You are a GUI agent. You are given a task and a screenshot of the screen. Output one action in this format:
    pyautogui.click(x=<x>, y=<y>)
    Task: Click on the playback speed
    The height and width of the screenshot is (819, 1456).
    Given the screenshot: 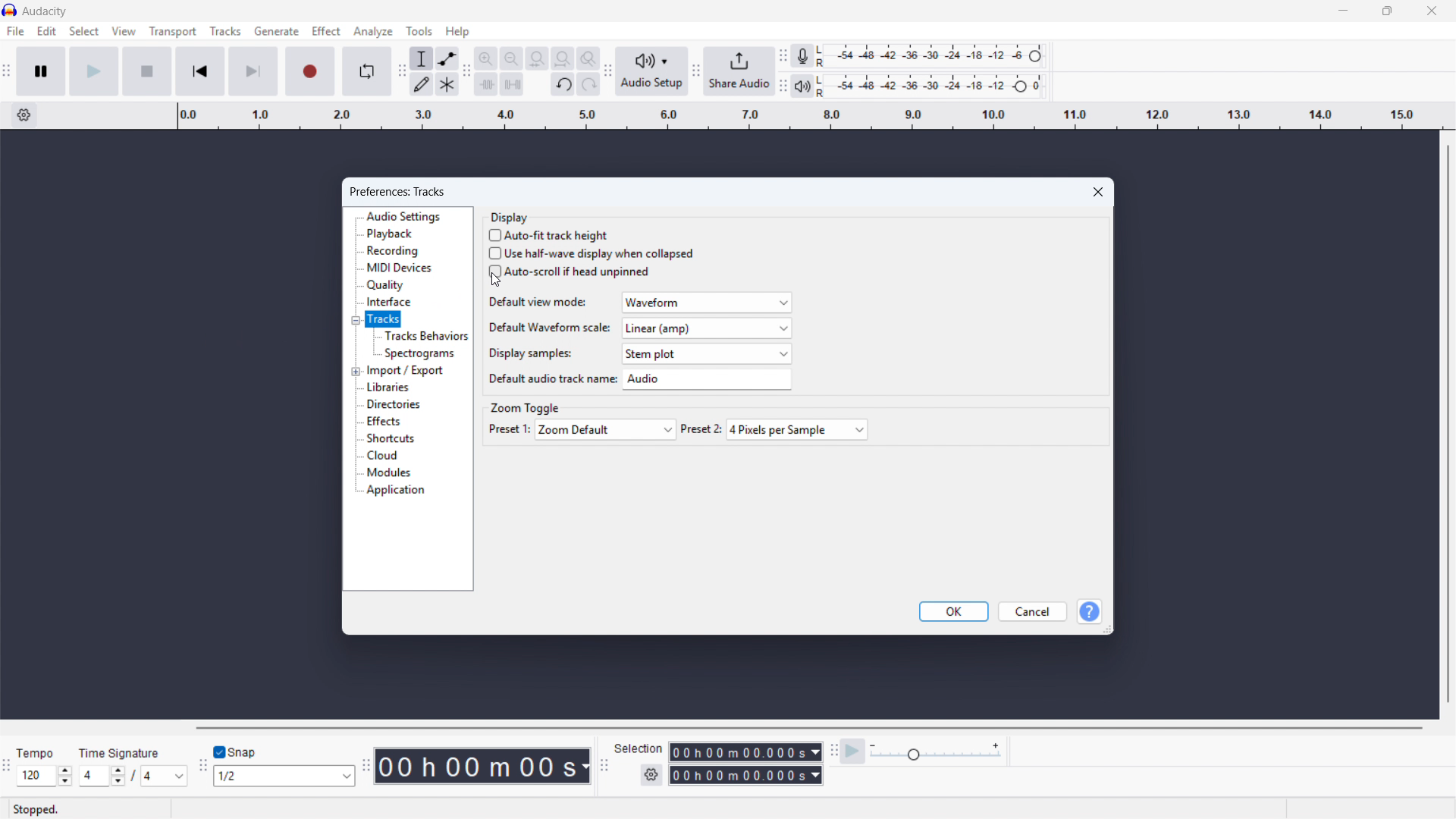 What is the action you would take?
    pyautogui.click(x=936, y=752)
    